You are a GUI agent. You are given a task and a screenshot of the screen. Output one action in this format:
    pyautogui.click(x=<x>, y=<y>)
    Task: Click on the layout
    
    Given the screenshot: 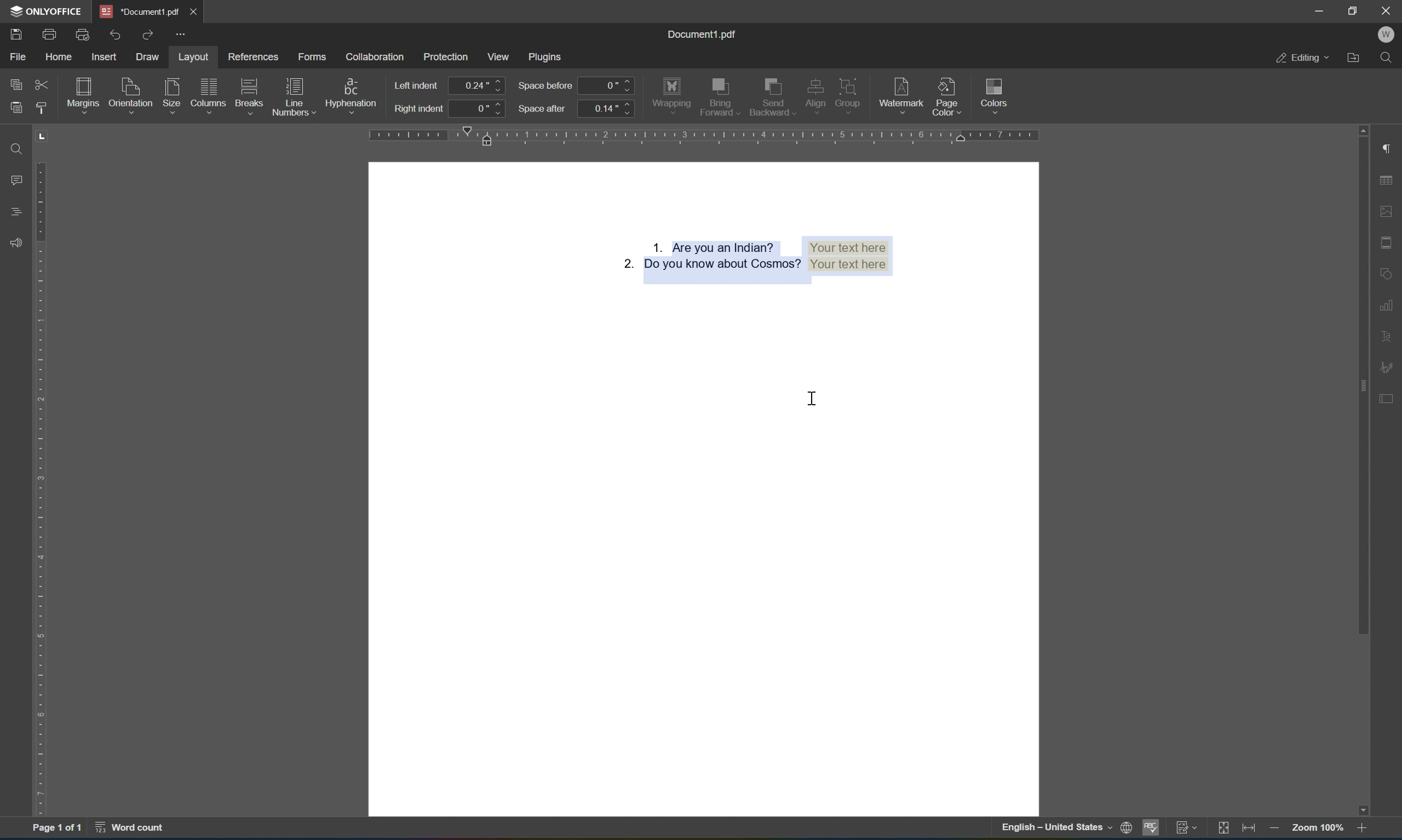 What is the action you would take?
    pyautogui.click(x=193, y=57)
    